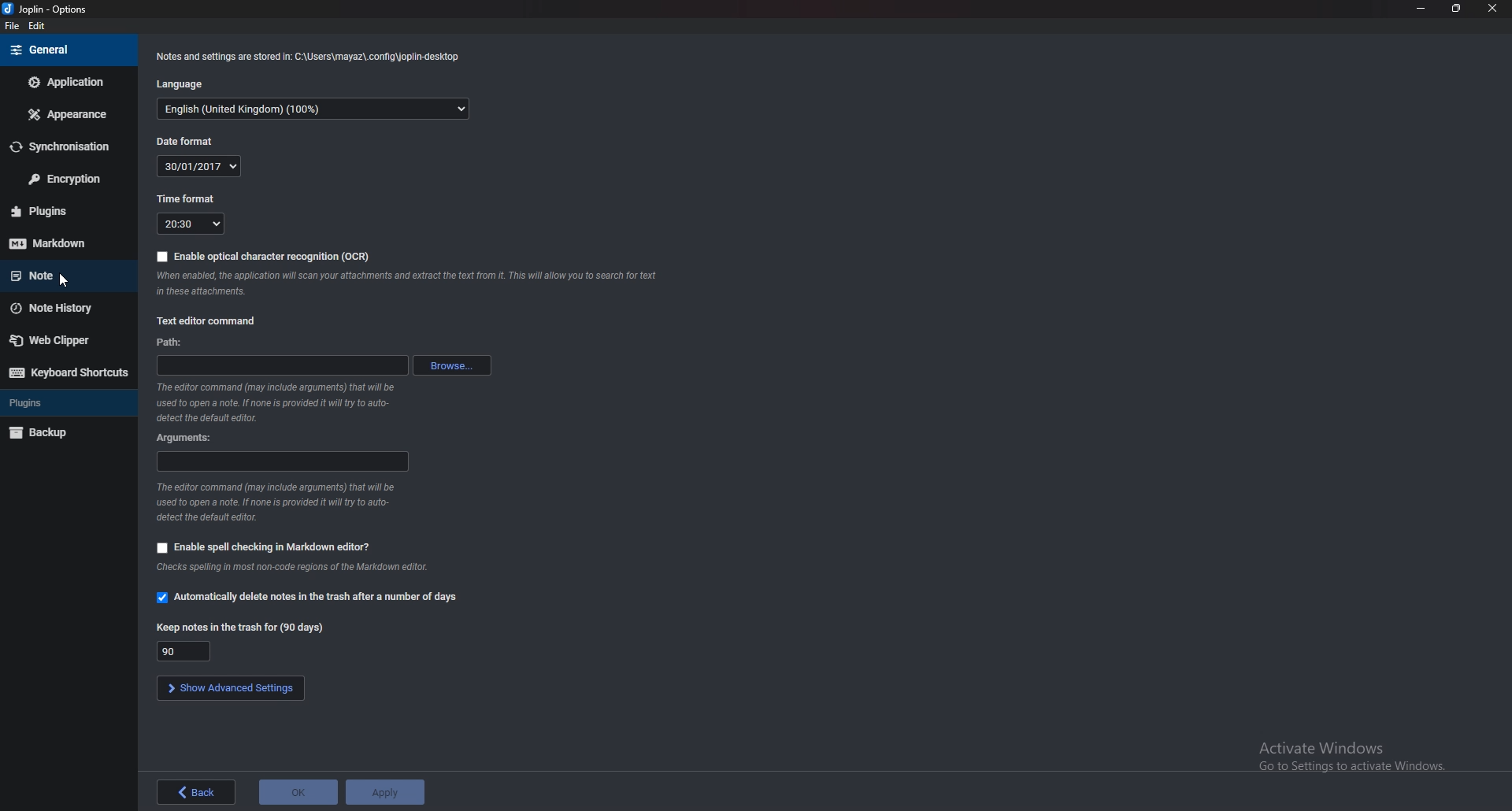 This screenshot has height=811, width=1512. Describe the element at coordinates (169, 343) in the screenshot. I see `path` at that location.